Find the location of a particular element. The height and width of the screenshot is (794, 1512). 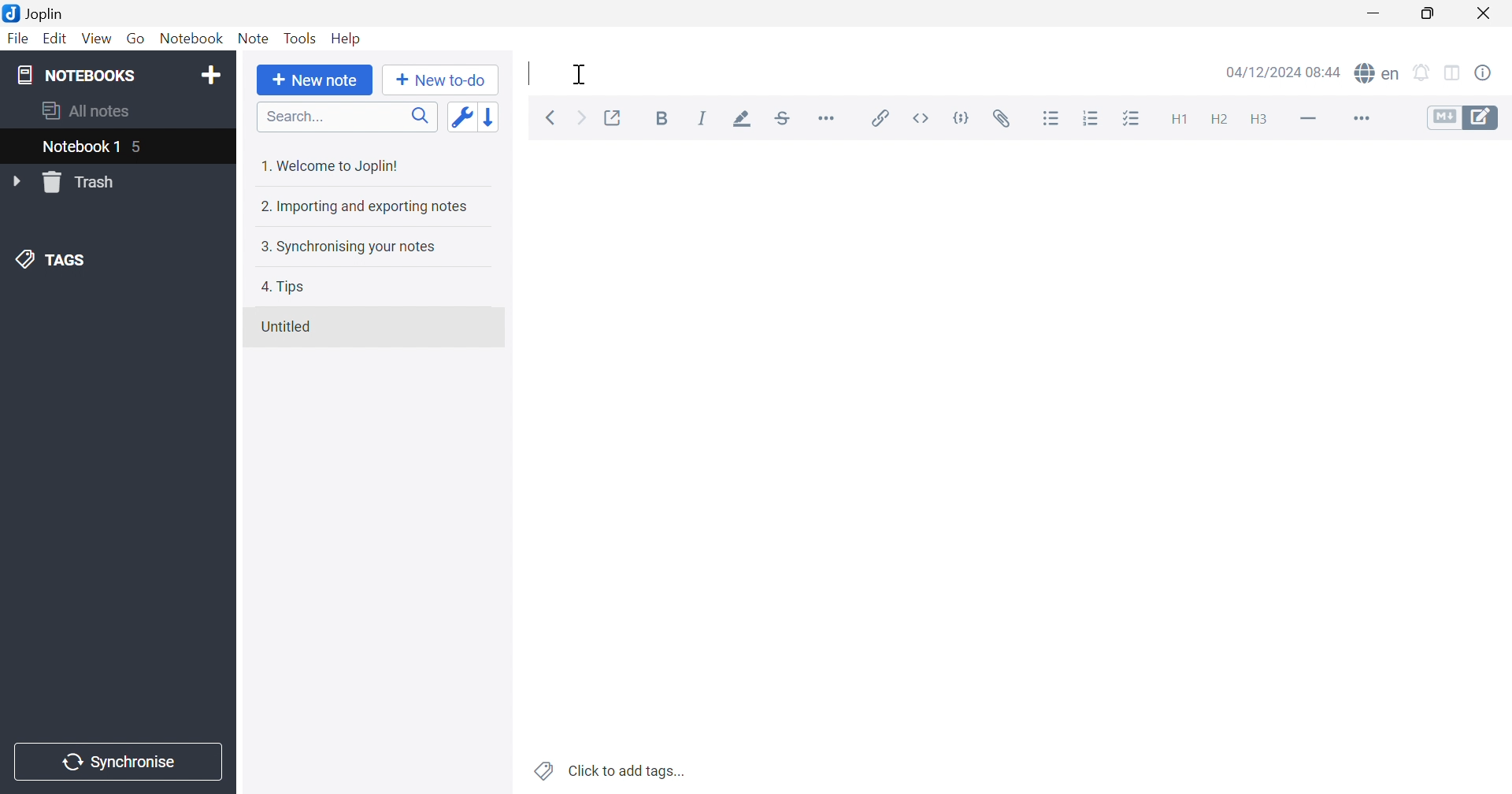

Heading 2 is located at coordinates (1220, 120).